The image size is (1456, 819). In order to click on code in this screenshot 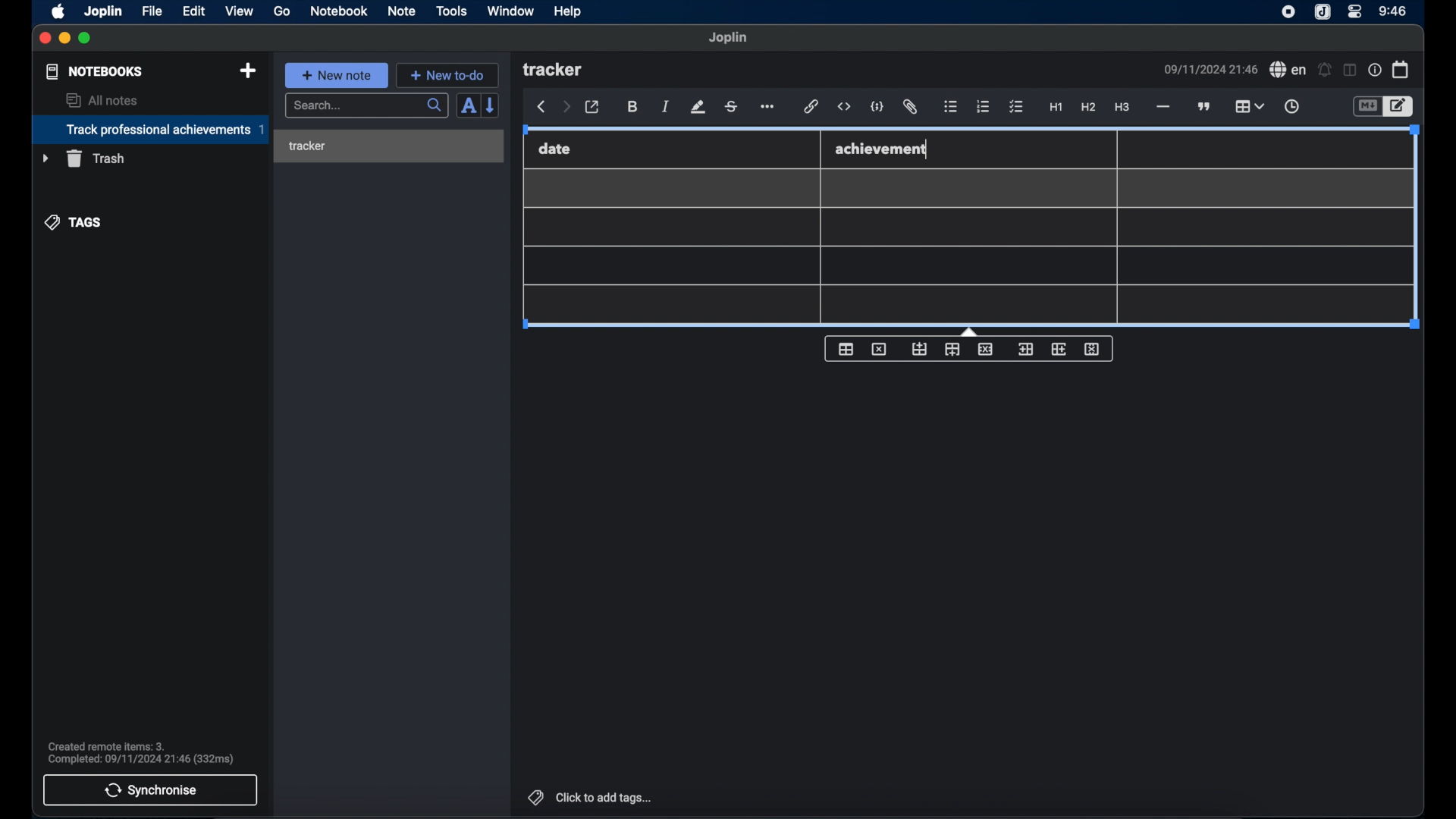, I will do `click(878, 106)`.